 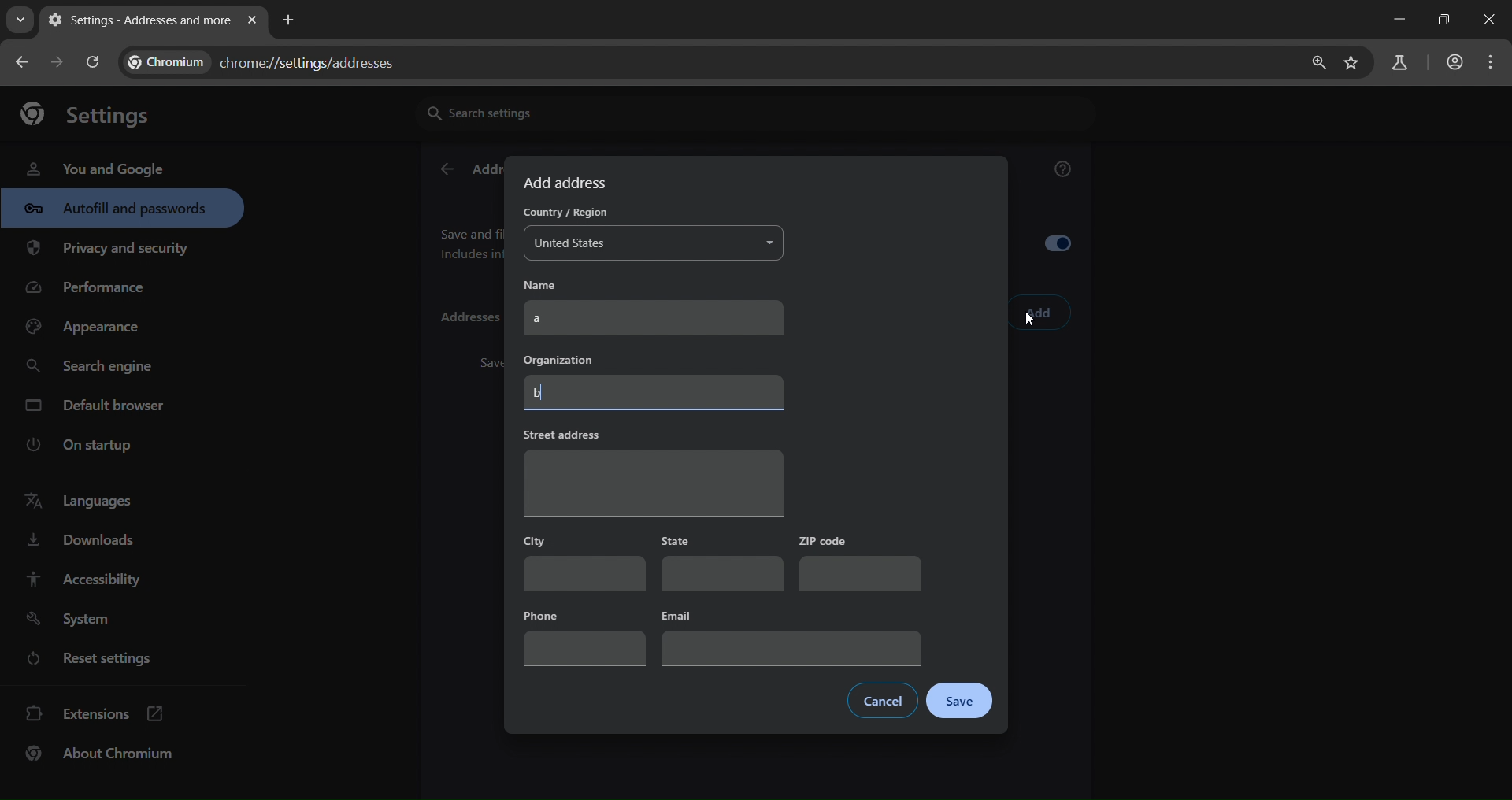 What do you see at coordinates (1030, 323) in the screenshot?
I see `cursor` at bounding box center [1030, 323].